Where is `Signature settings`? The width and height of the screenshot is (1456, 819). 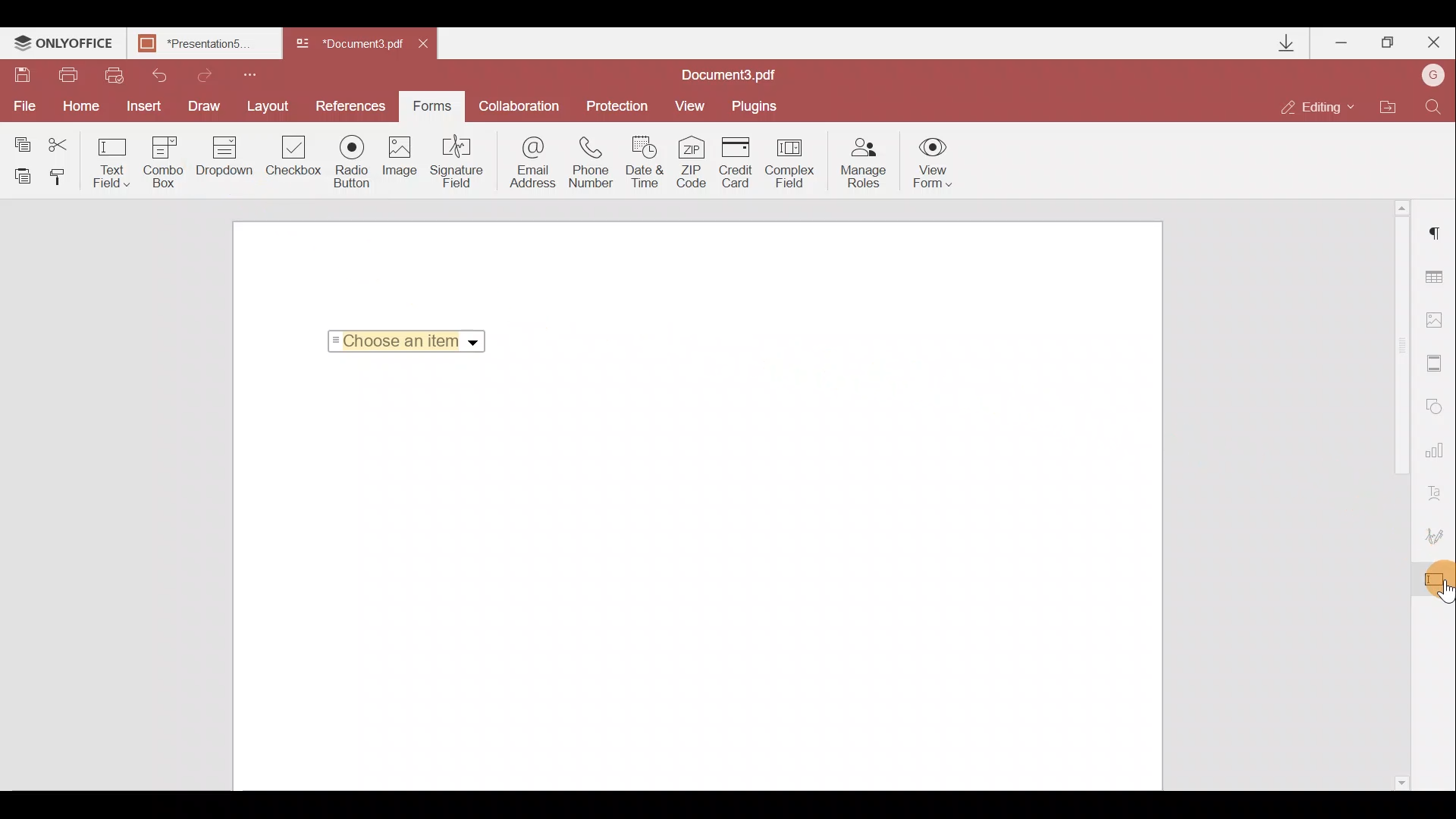 Signature settings is located at coordinates (1433, 531).